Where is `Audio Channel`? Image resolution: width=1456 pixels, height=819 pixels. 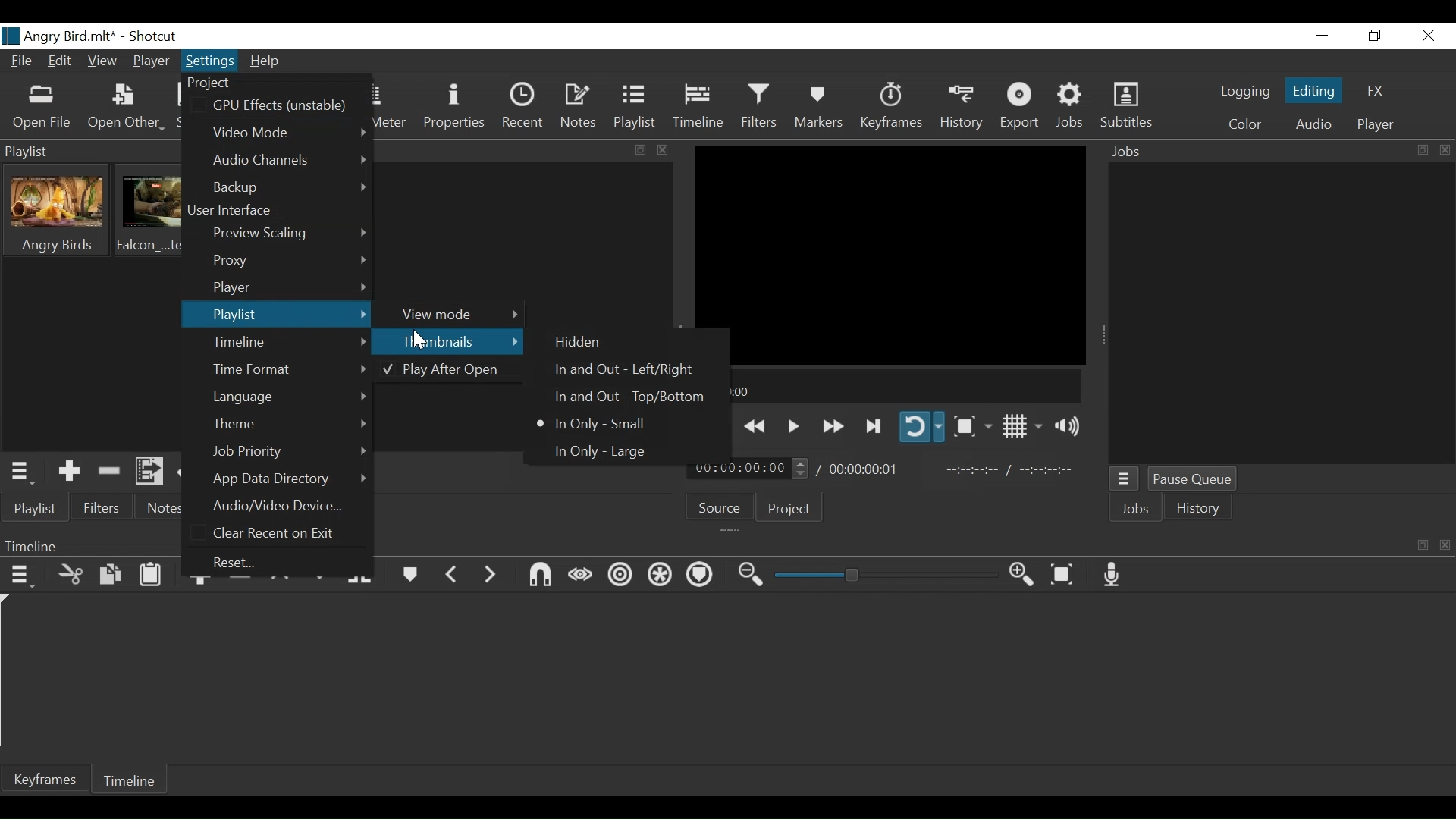
Audio Channel is located at coordinates (292, 159).